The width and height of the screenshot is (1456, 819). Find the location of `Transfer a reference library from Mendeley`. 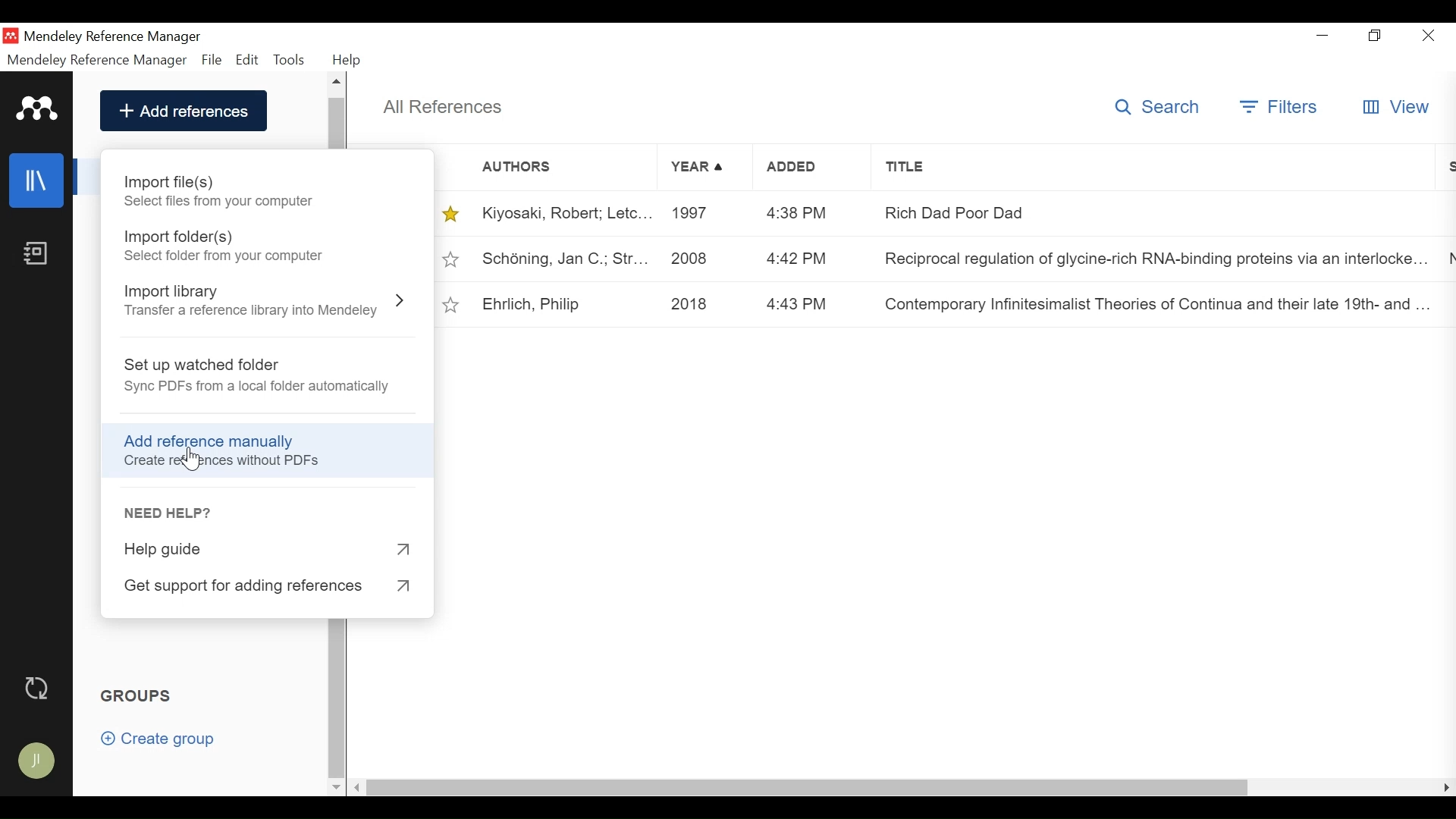

Transfer a reference library from Mendeley is located at coordinates (253, 311).